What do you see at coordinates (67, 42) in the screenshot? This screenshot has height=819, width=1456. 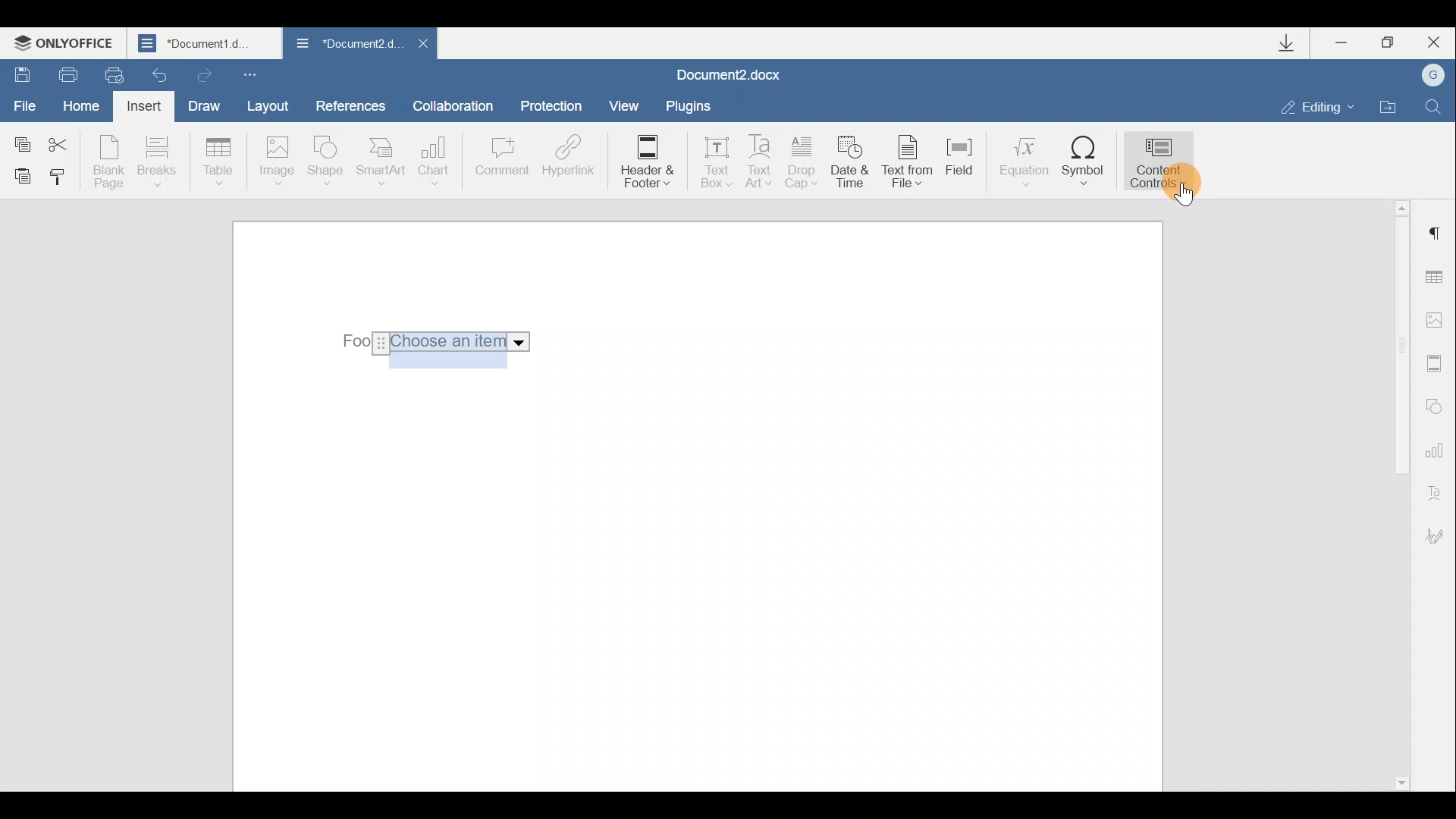 I see `ONLYOFFICE` at bounding box center [67, 42].